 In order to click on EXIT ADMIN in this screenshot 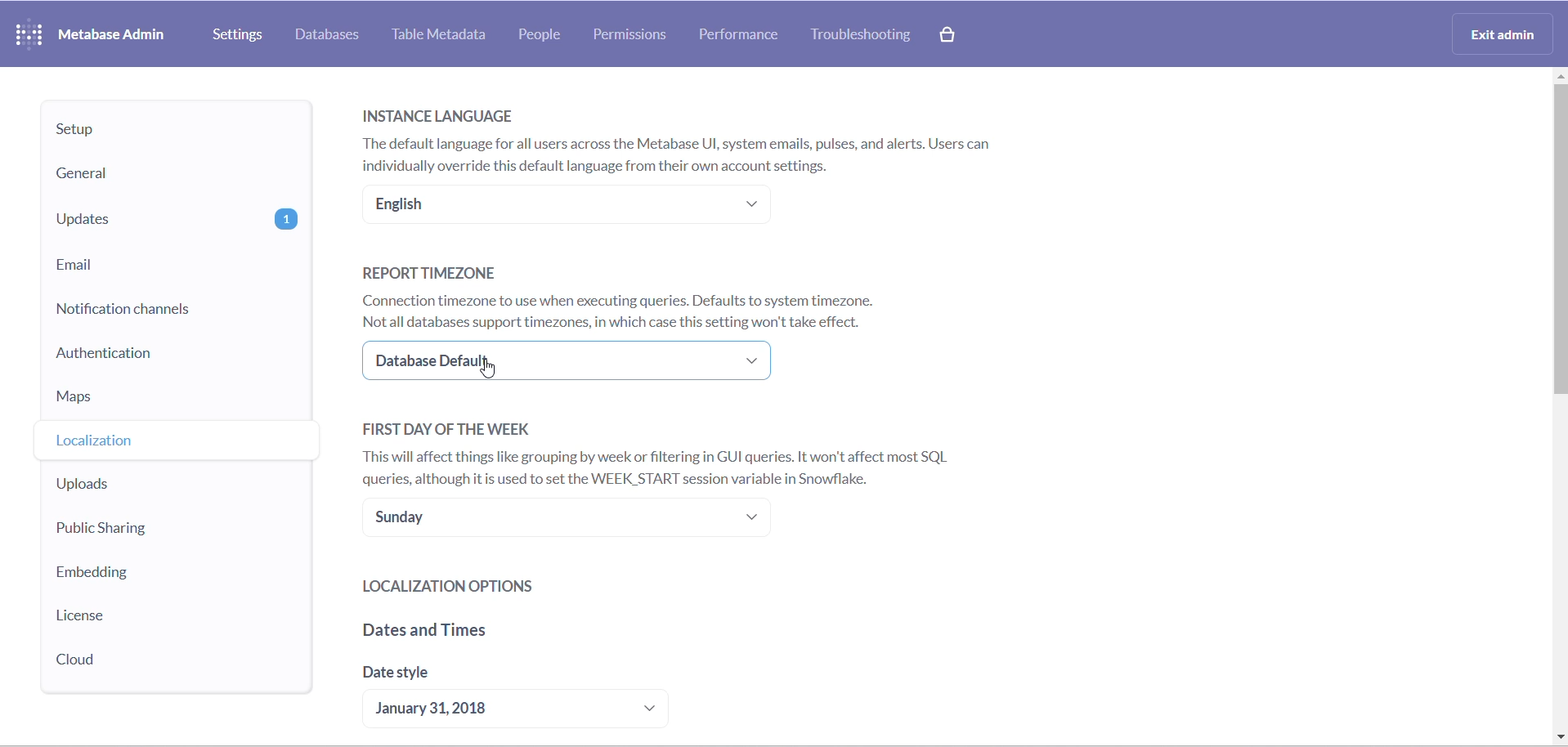, I will do `click(1507, 33)`.